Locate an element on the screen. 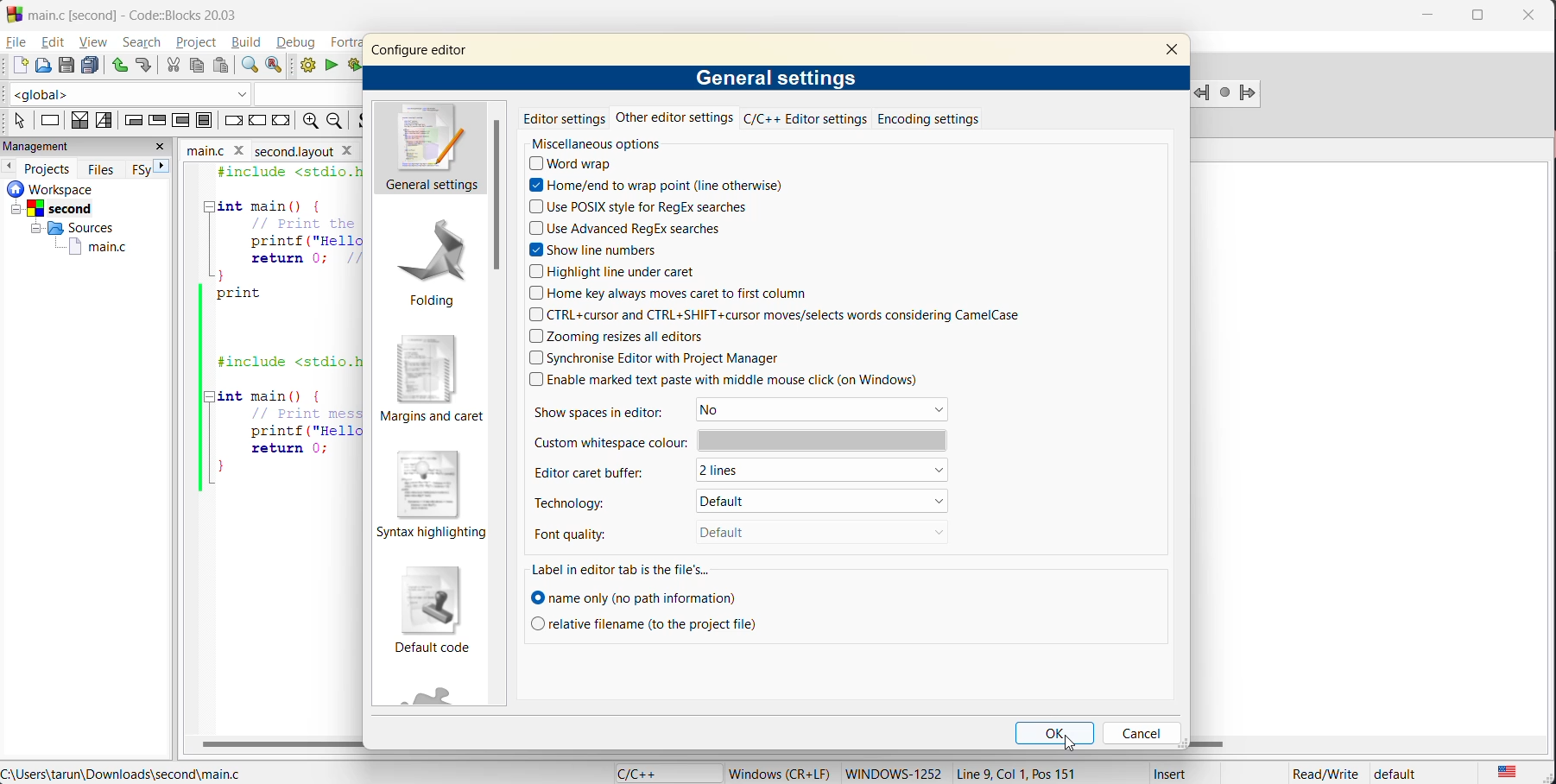  jump backword is located at coordinates (1202, 93).